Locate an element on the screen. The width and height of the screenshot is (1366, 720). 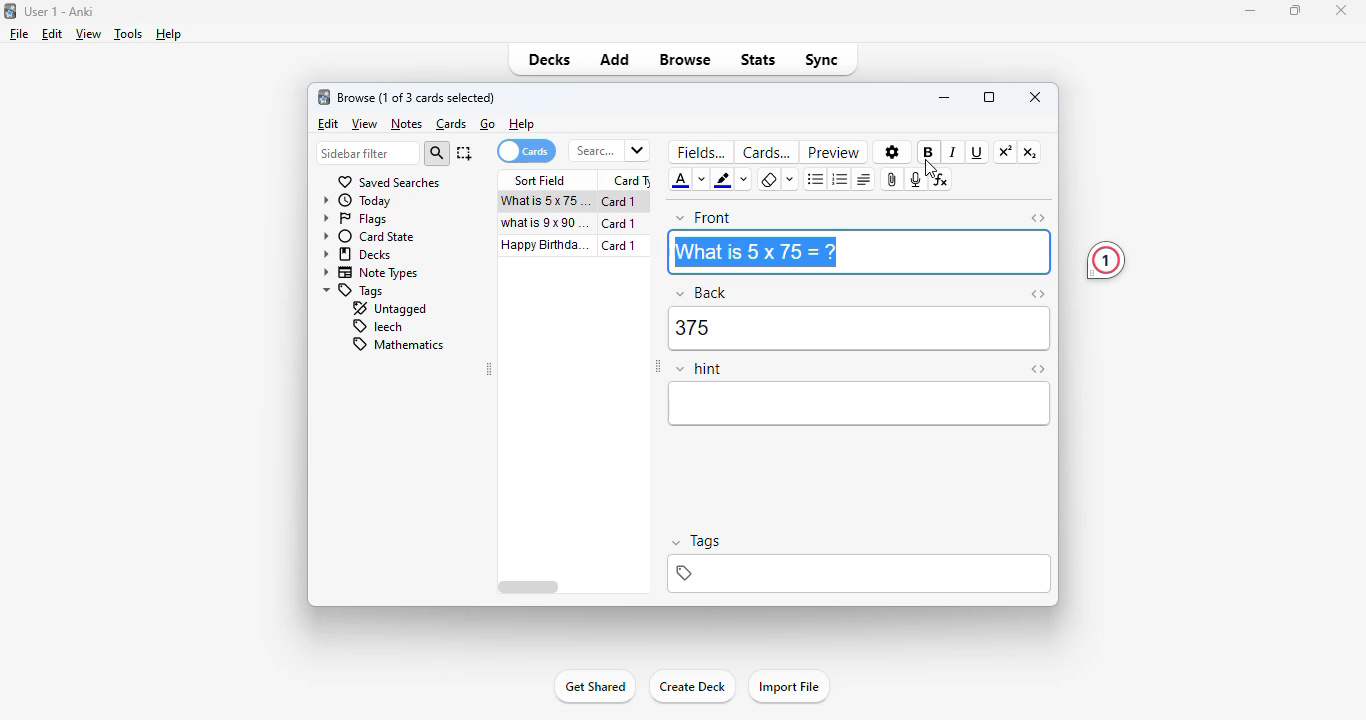
horizontal scroll bar is located at coordinates (529, 587).